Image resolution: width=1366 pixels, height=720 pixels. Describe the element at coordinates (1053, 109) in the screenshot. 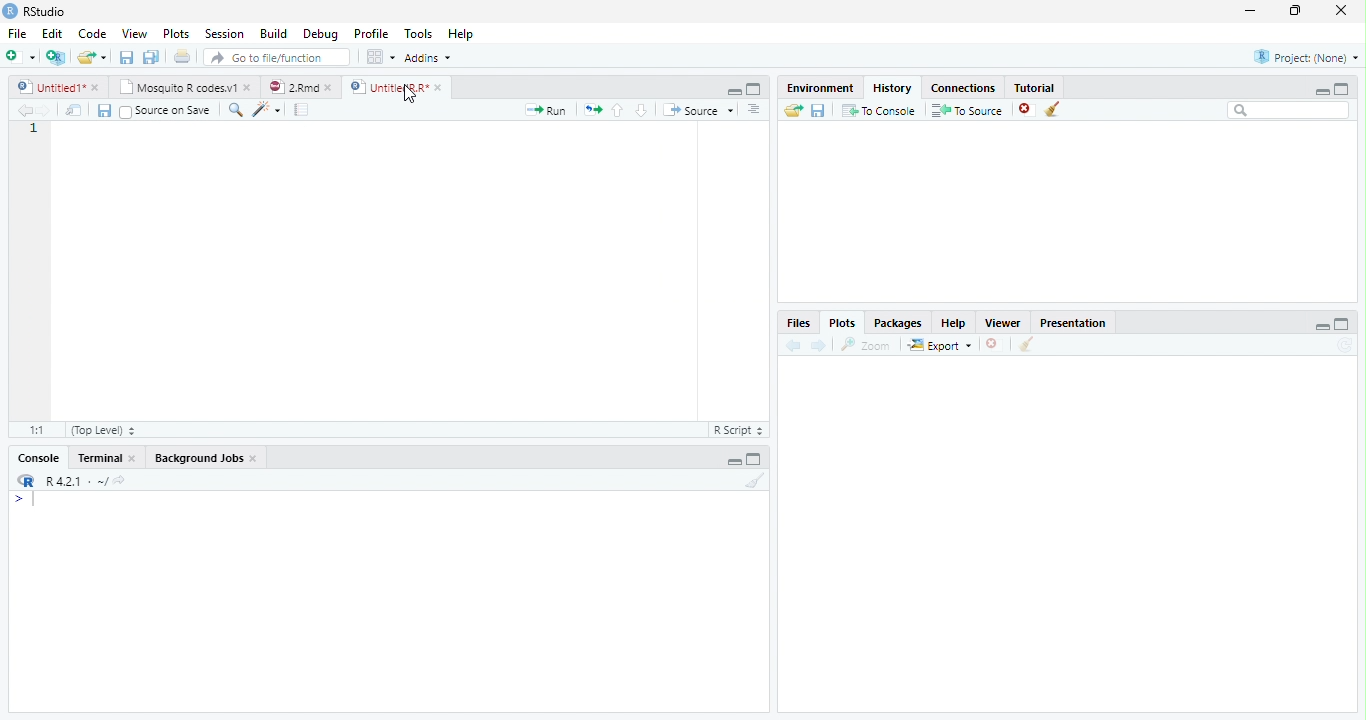

I see `Clear all history entries` at that location.